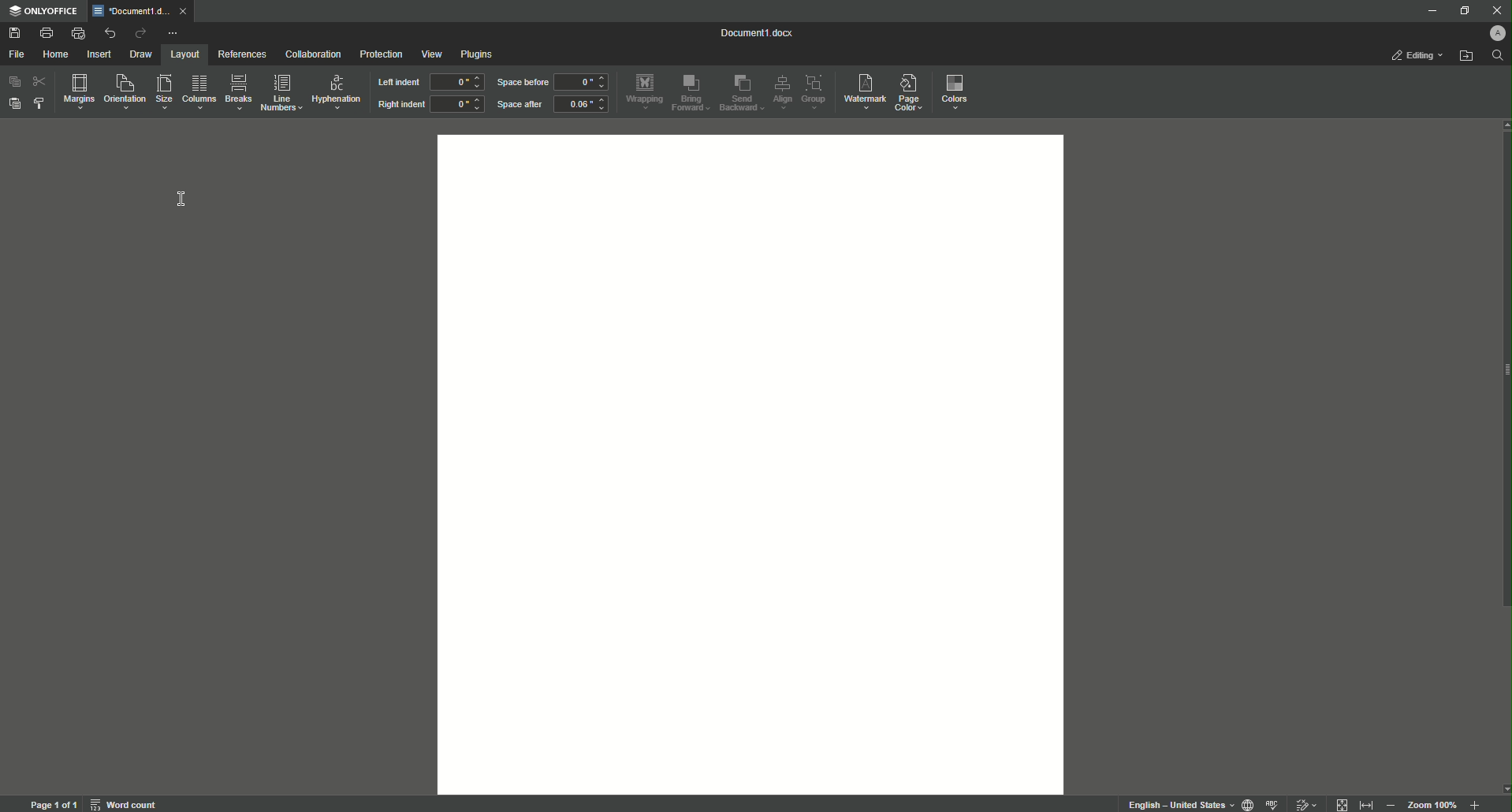 The width and height of the screenshot is (1512, 812). I want to click on 0.06, so click(583, 106).